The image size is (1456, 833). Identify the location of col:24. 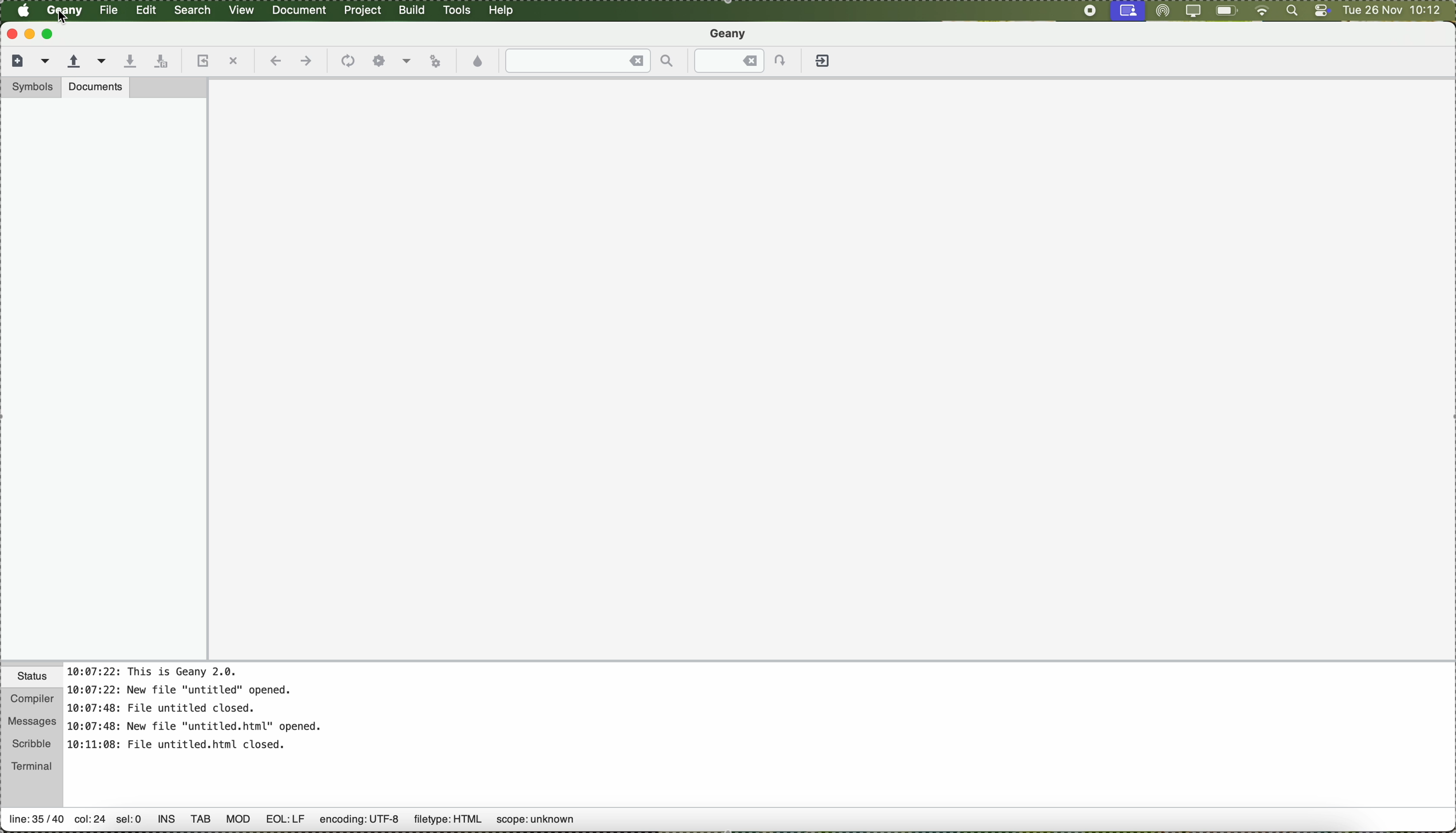
(88, 819).